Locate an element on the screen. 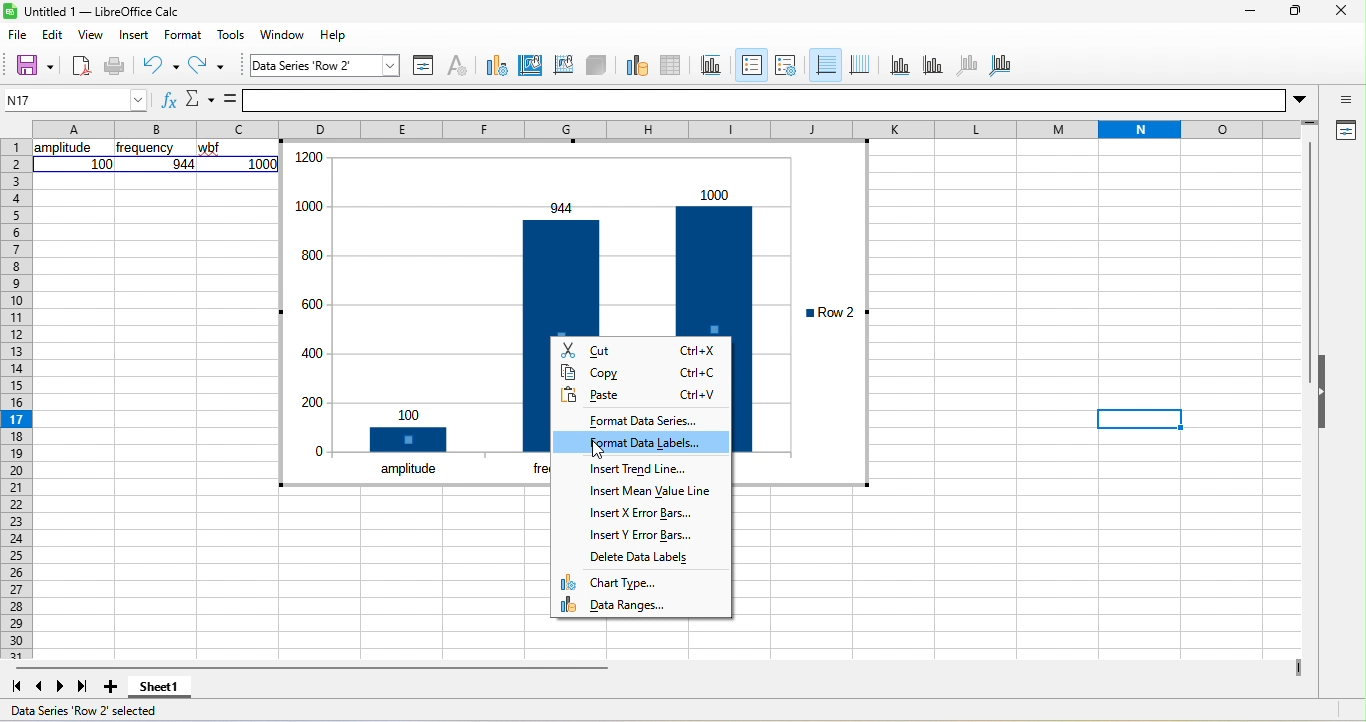  sheet 1 is located at coordinates (160, 691).